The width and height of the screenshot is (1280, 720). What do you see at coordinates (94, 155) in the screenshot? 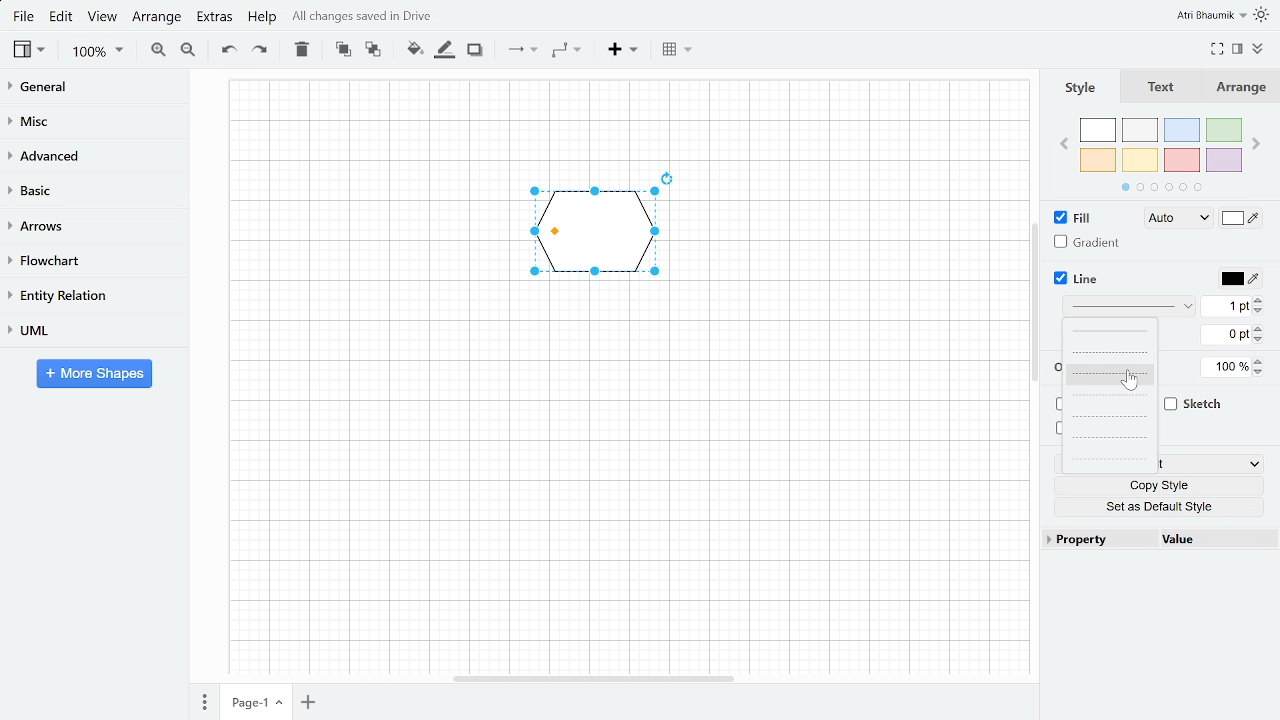
I see `advanced Advanced` at bounding box center [94, 155].